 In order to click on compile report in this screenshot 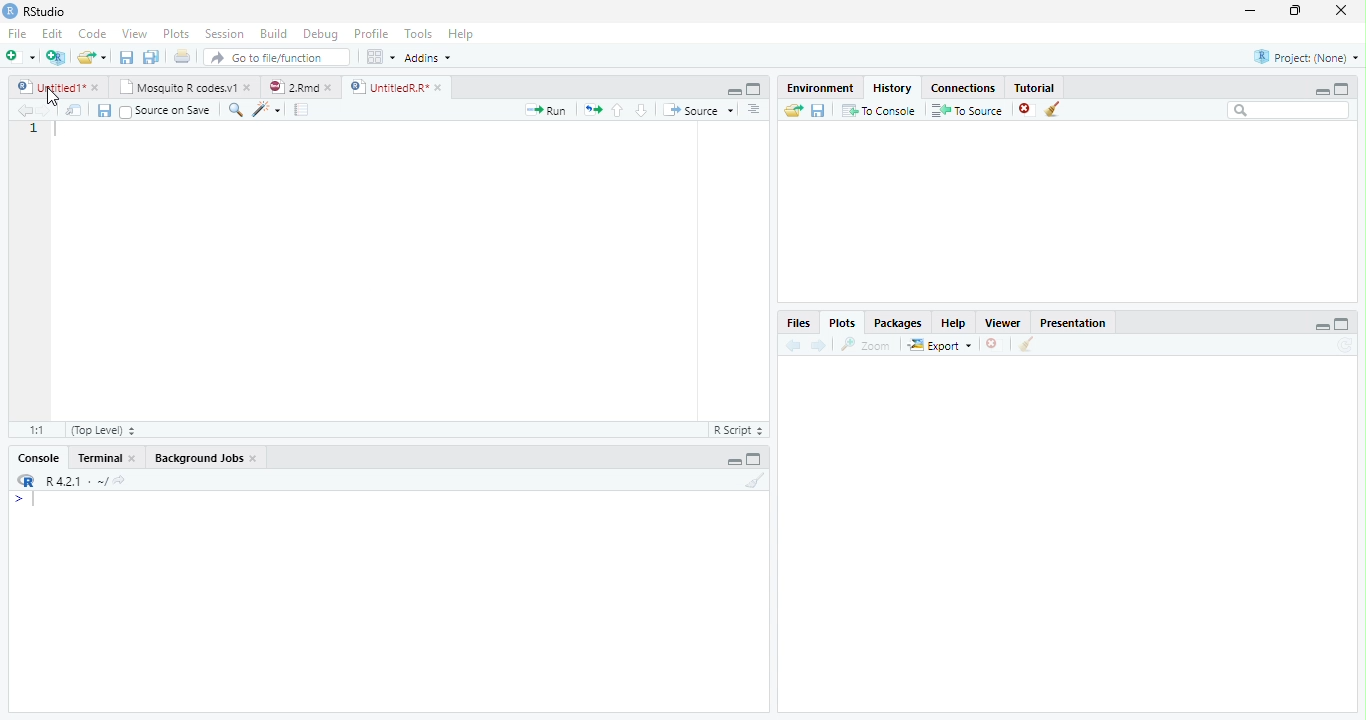, I will do `click(302, 111)`.